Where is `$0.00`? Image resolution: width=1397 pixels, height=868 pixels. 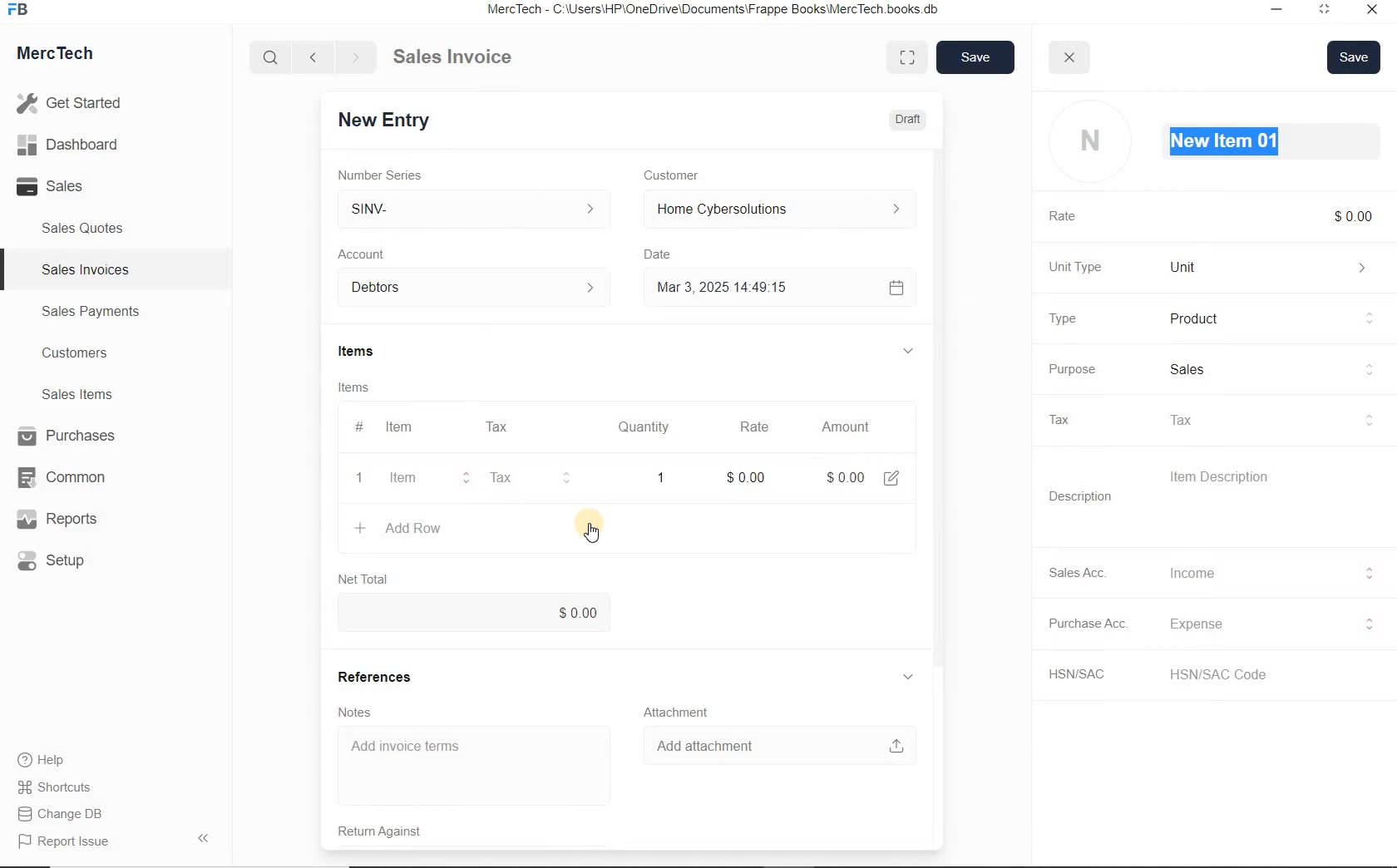 $0.00 is located at coordinates (475, 613).